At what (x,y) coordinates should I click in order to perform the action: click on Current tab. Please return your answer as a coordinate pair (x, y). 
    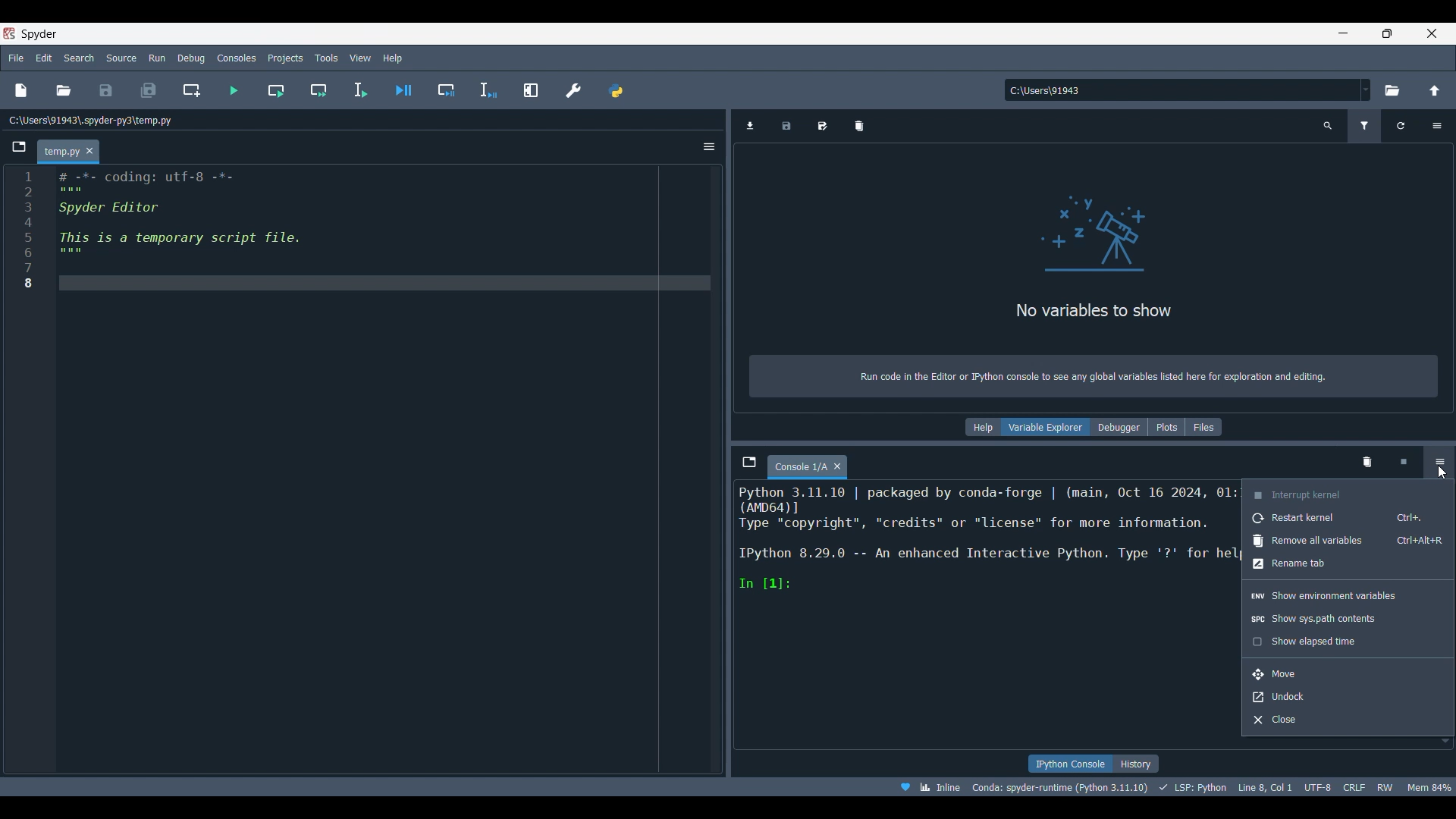
    Looking at the image, I should click on (59, 152).